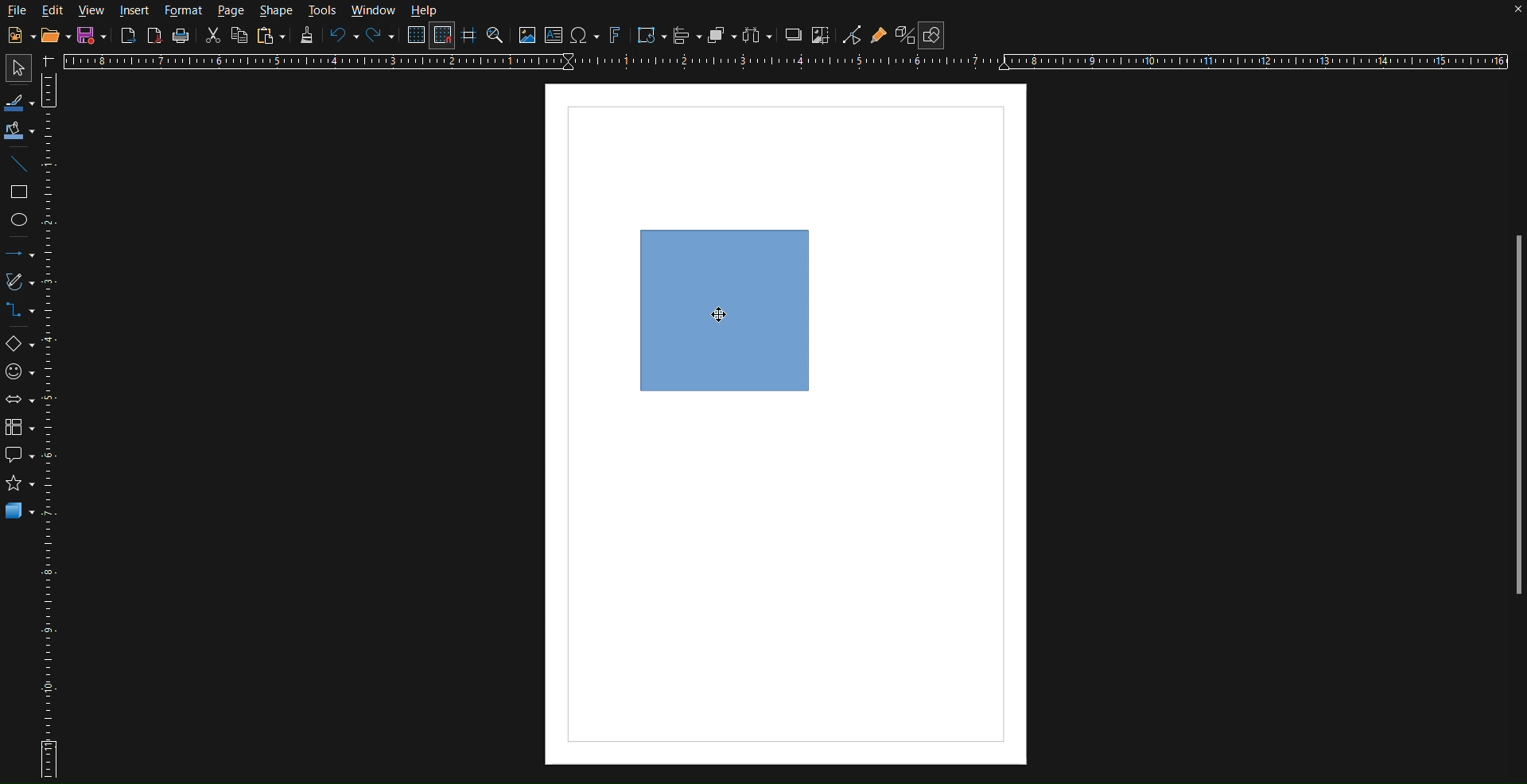 This screenshot has width=1527, height=784. I want to click on New, so click(17, 35).